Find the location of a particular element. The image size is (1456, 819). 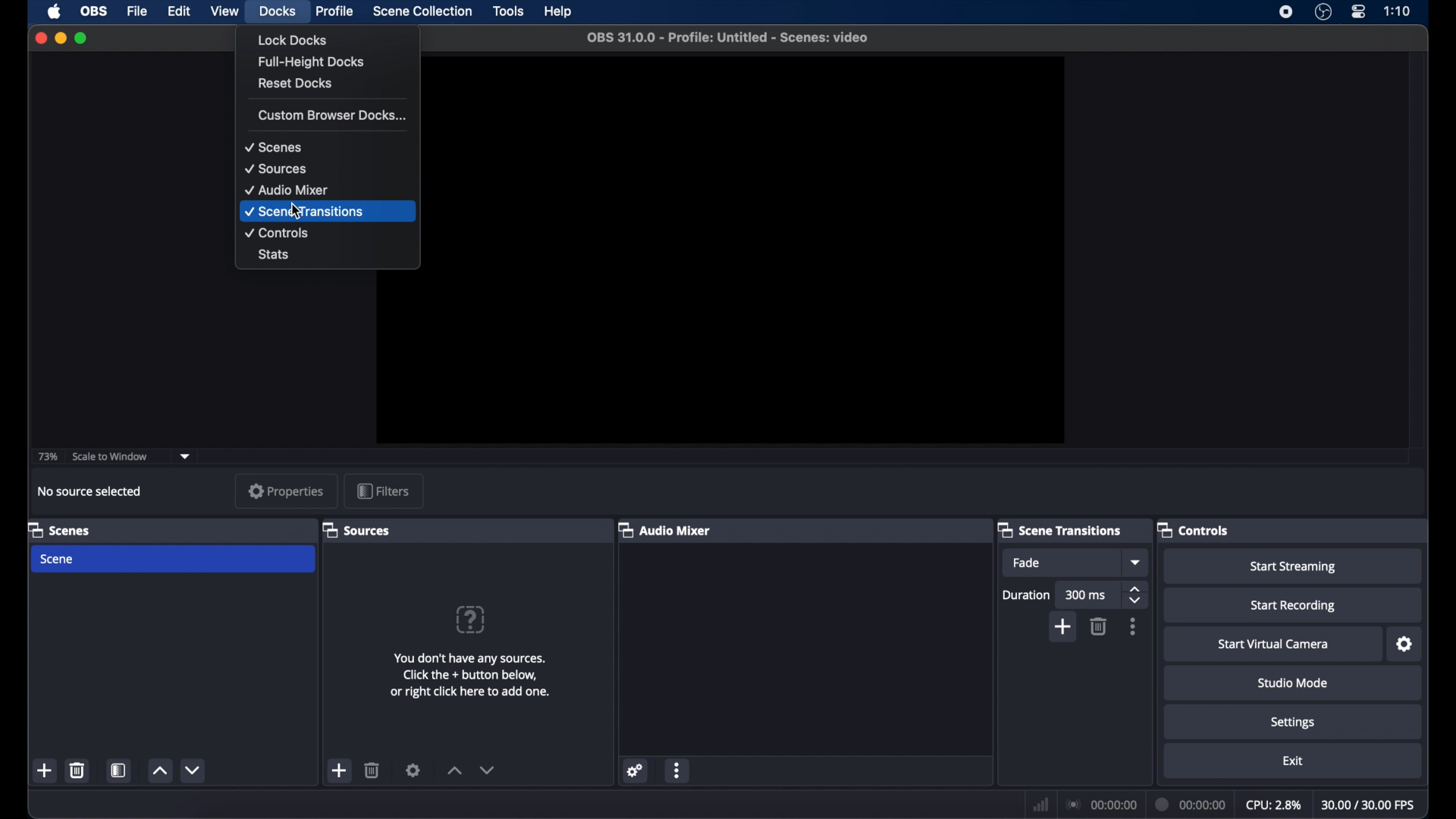

add is located at coordinates (338, 770).